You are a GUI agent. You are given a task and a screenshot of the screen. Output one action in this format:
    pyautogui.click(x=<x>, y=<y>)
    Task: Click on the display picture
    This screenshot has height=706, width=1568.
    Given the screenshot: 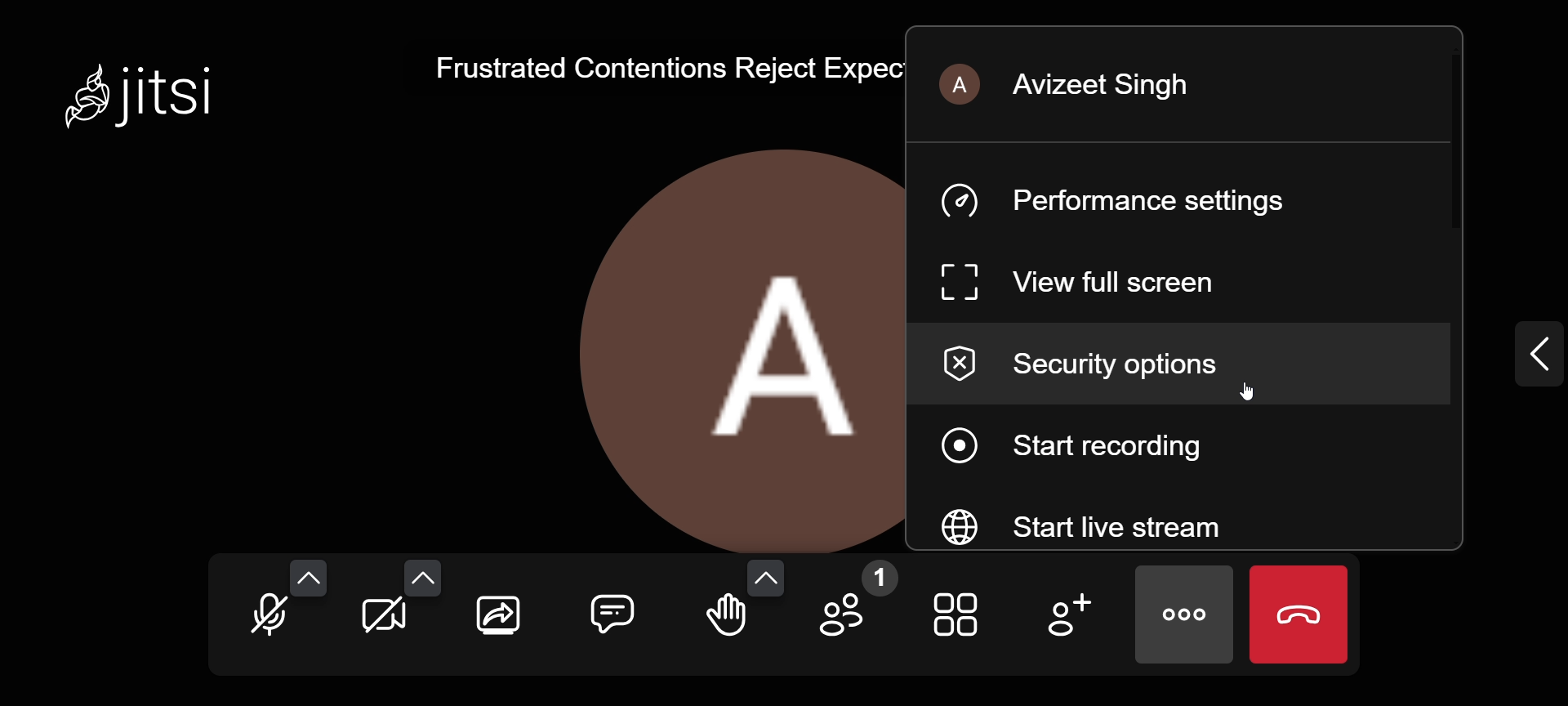 What is the action you would take?
    pyautogui.click(x=728, y=347)
    